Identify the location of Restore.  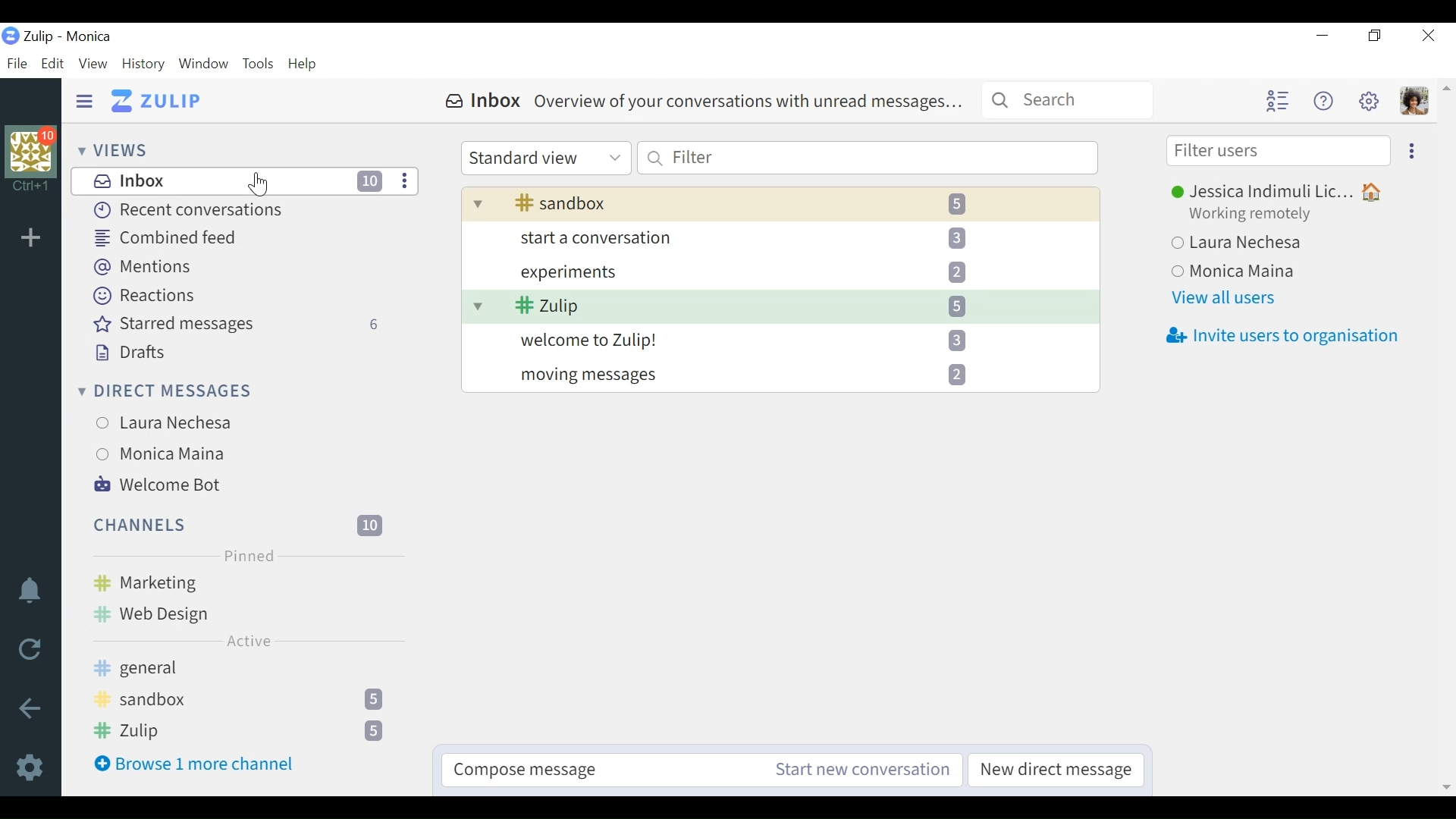
(1376, 37).